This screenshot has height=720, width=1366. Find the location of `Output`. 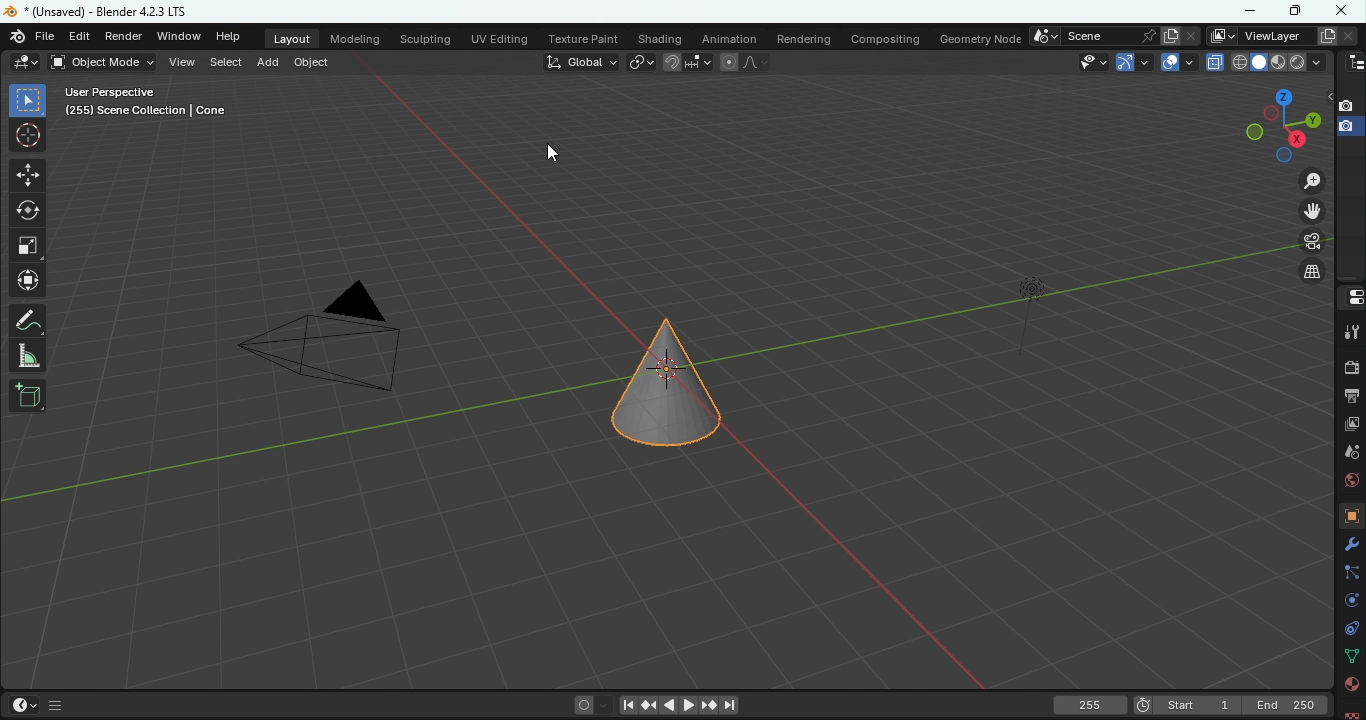

Output is located at coordinates (1349, 398).